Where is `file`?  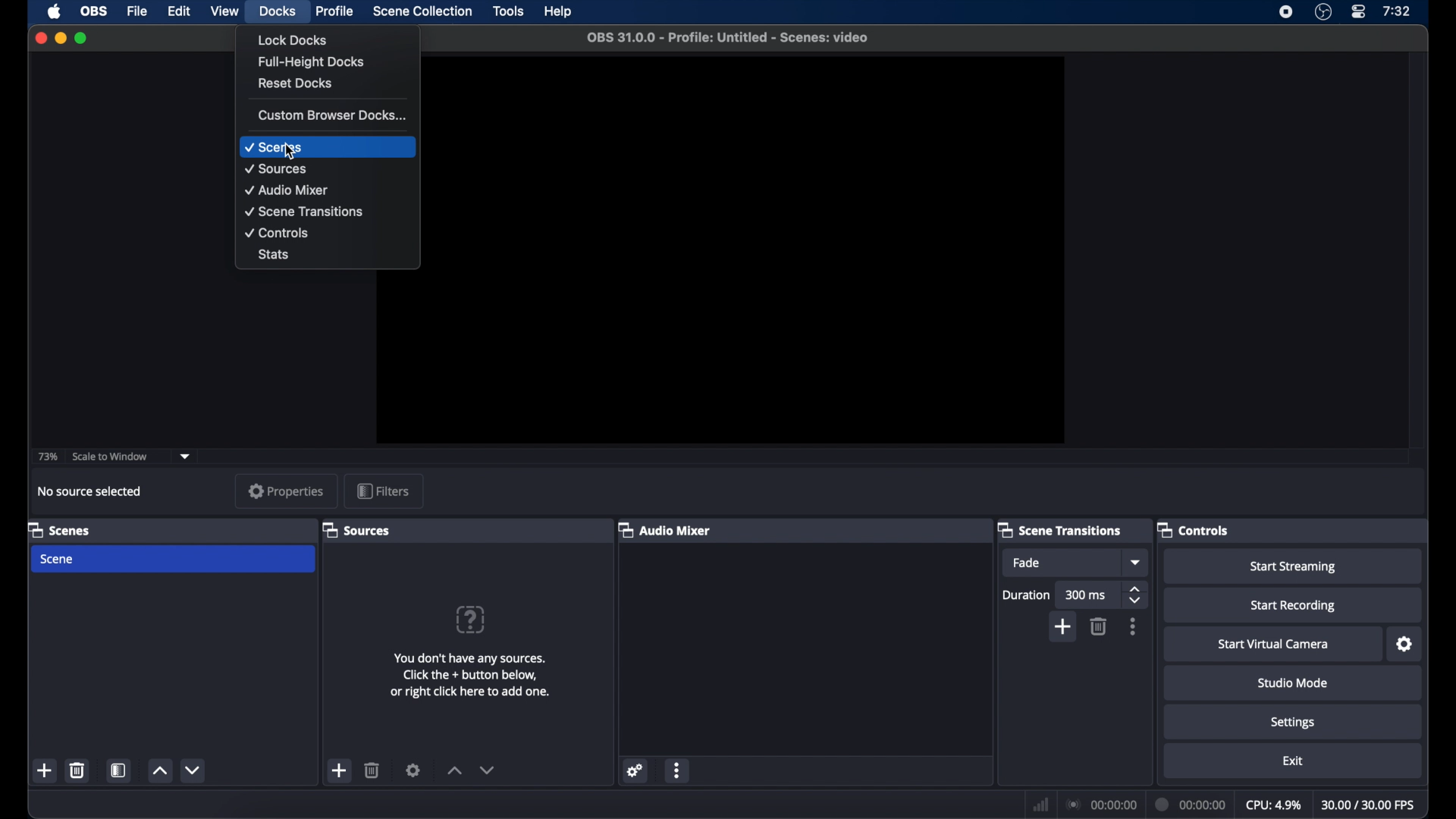 file is located at coordinates (138, 11).